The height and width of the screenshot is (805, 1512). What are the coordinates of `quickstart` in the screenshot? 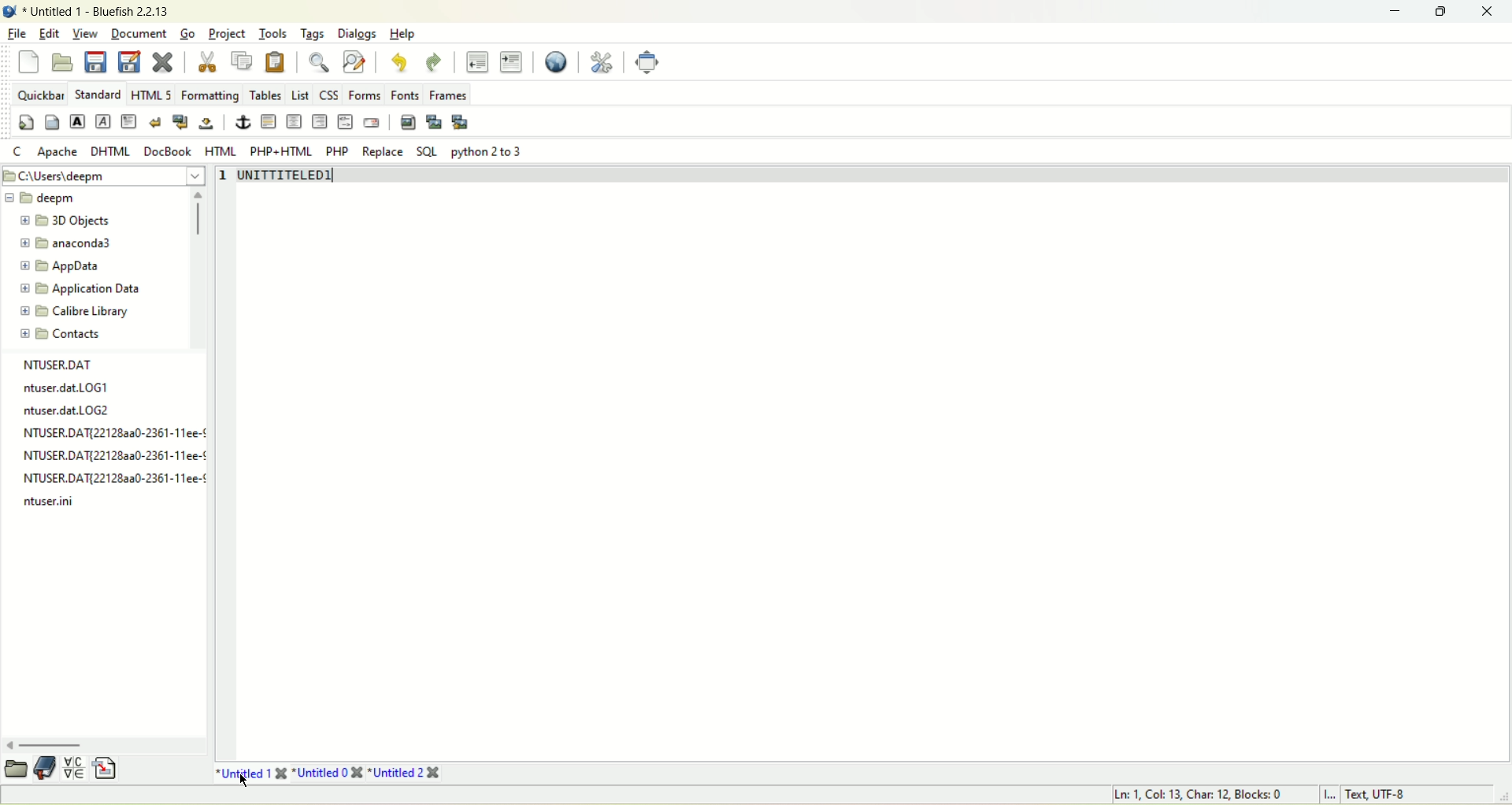 It's located at (24, 124).